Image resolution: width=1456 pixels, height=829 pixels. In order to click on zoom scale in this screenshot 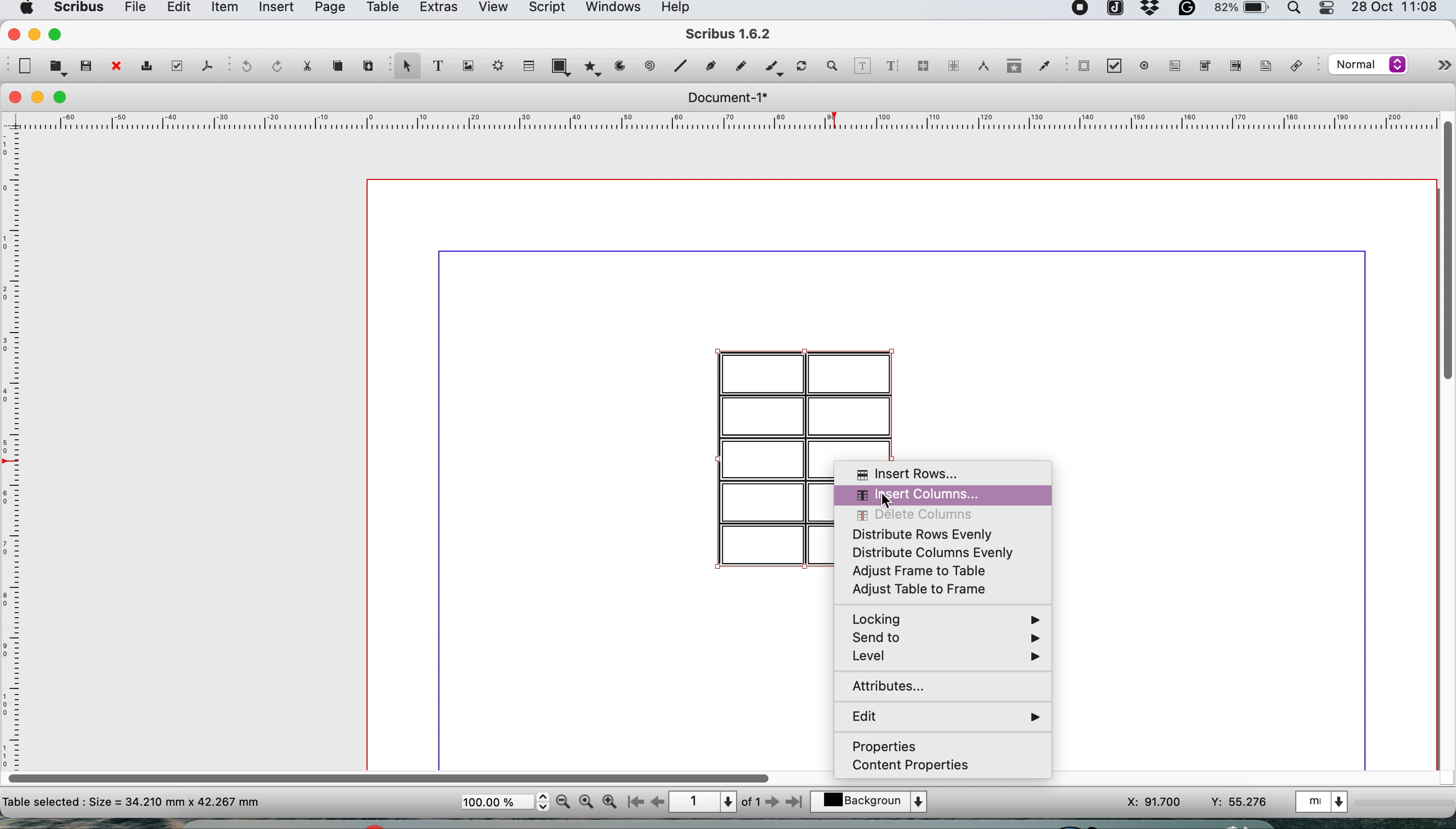, I will do `click(505, 802)`.